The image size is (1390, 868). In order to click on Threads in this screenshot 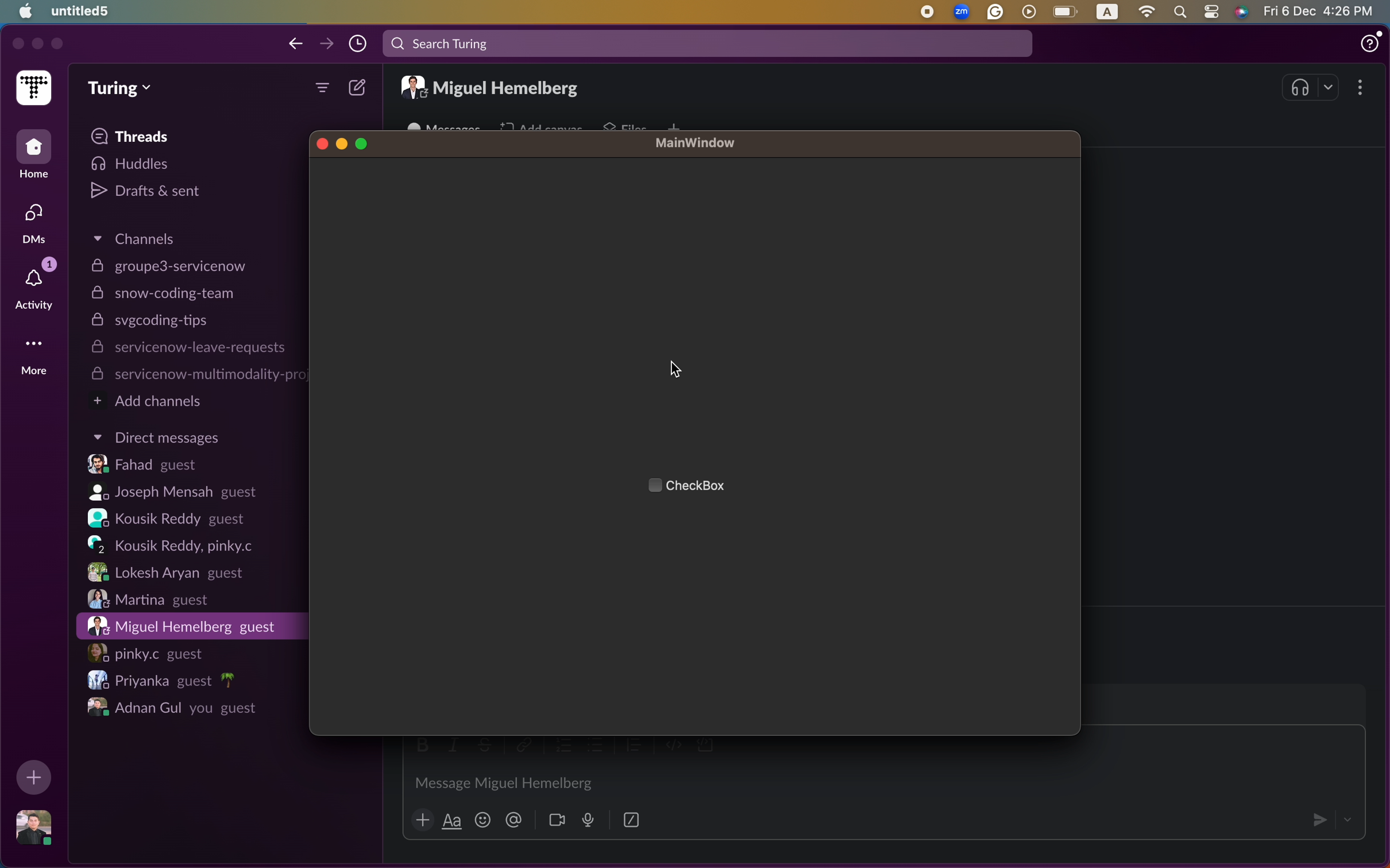, I will do `click(135, 137)`.